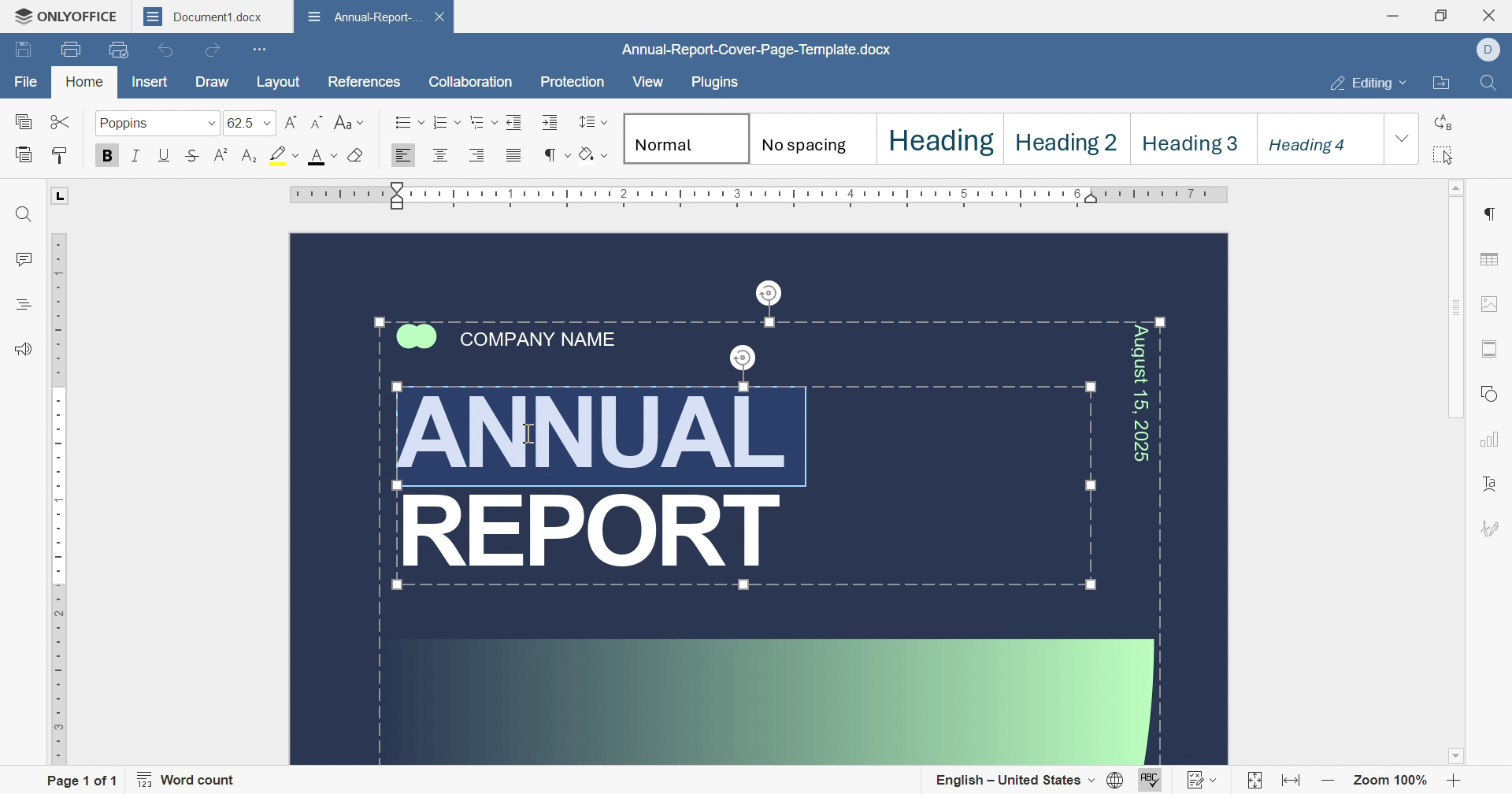 Image resolution: width=1512 pixels, height=794 pixels. What do you see at coordinates (532, 434) in the screenshot?
I see `Cursor` at bounding box center [532, 434].